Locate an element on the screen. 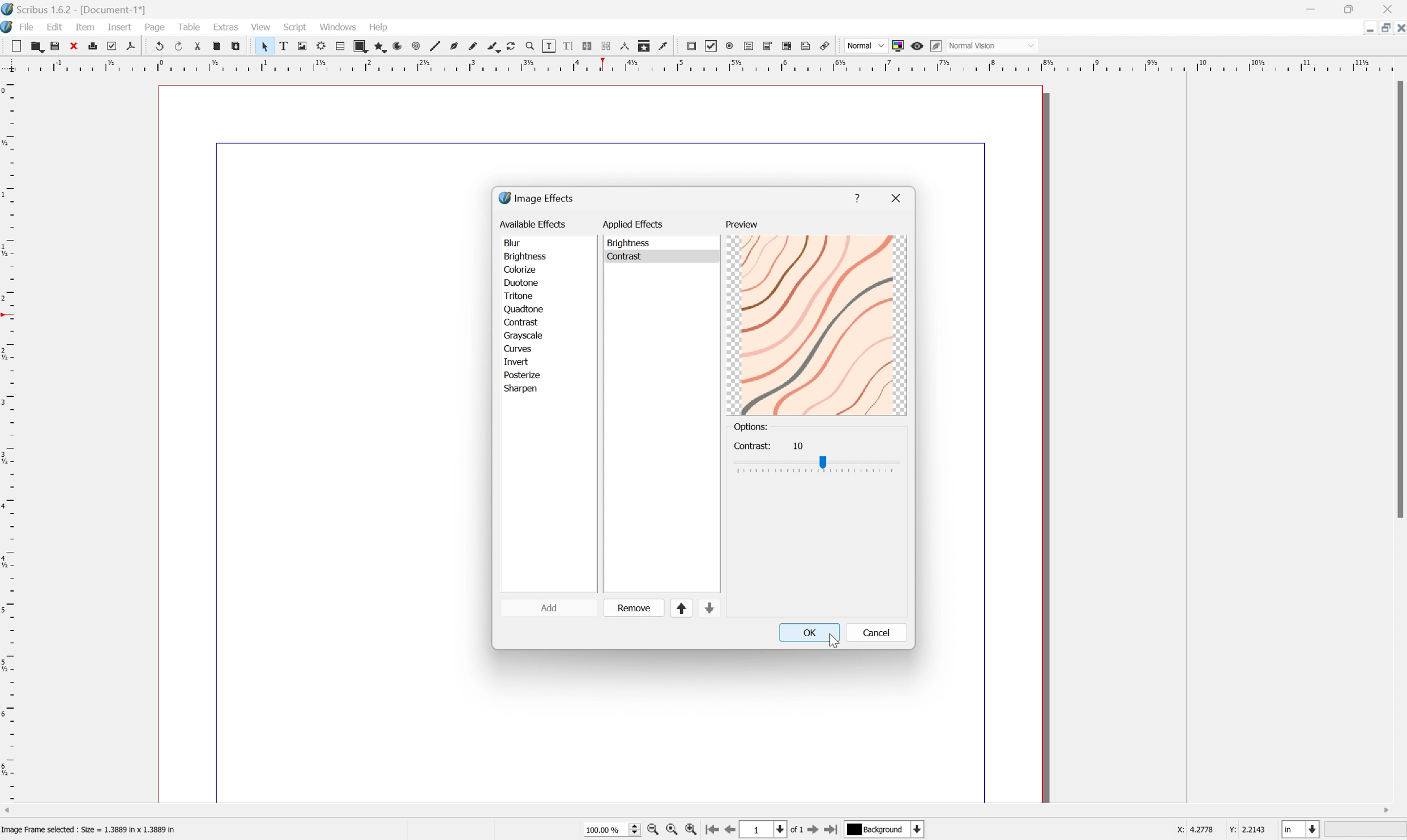 Image resolution: width=1407 pixels, height=840 pixels. Zoom to 100% is located at coordinates (674, 830).